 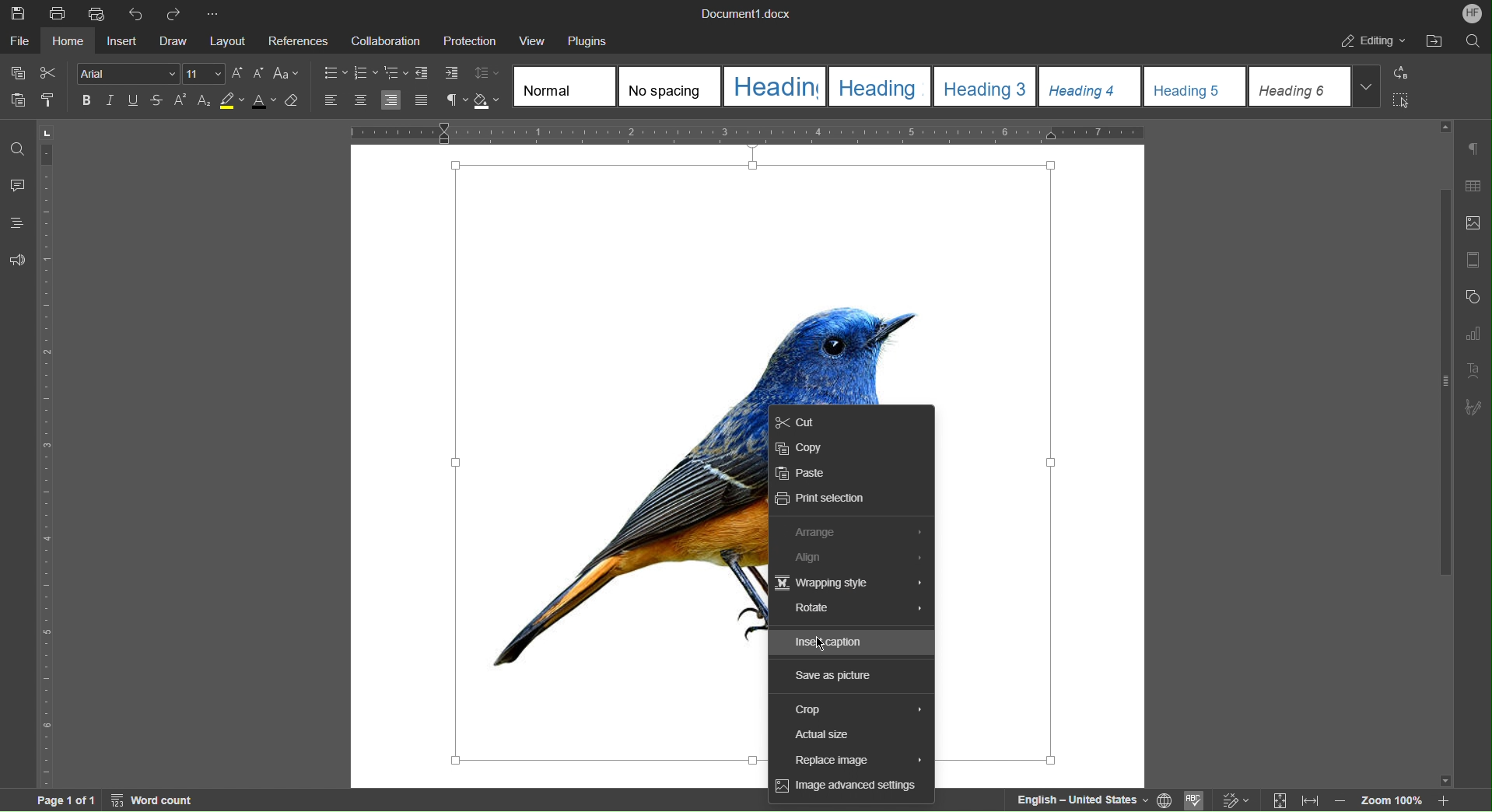 I want to click on Bullet List, so click(x=334, y=72).